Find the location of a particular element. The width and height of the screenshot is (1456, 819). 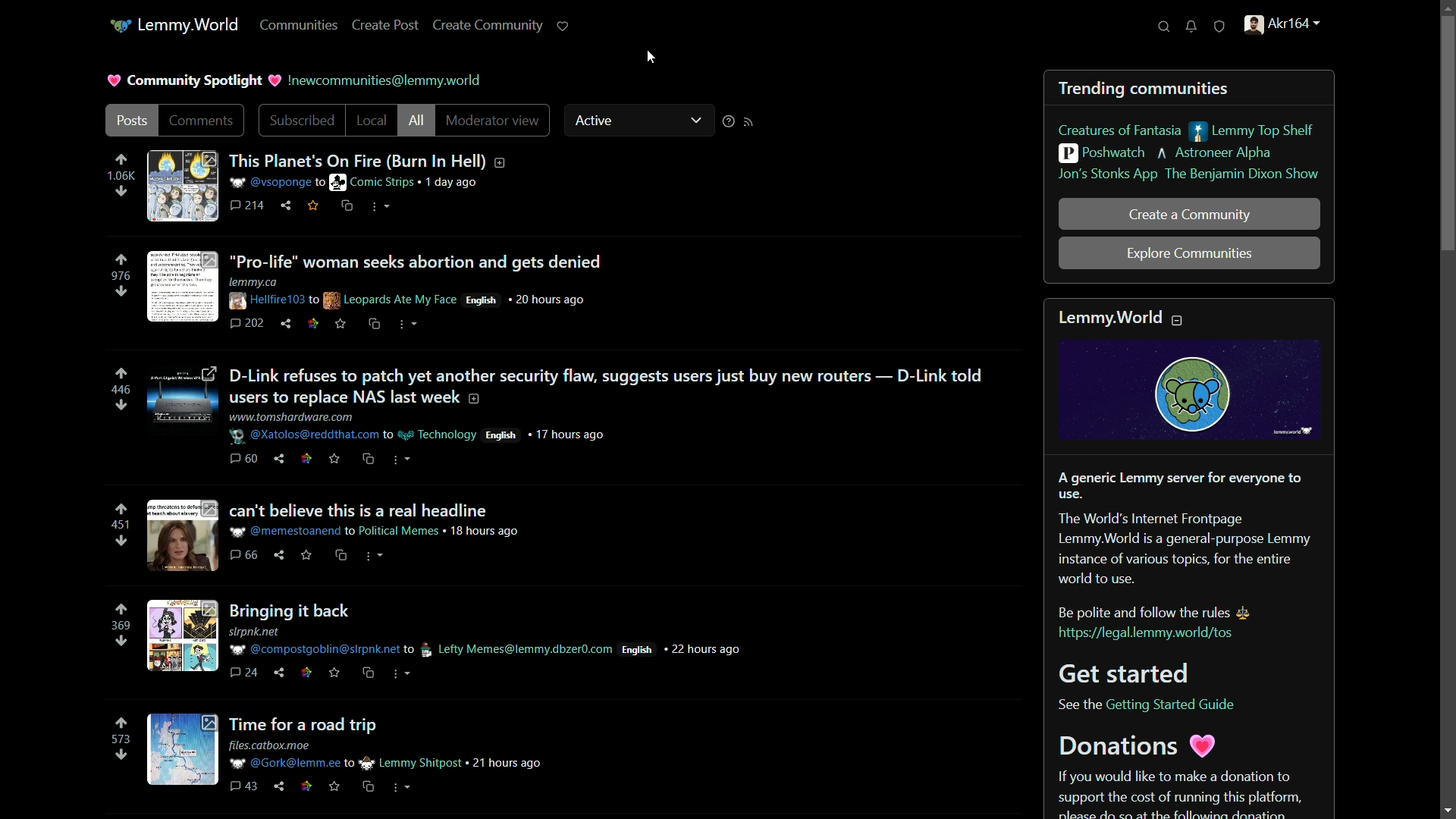

rss is located at coordinates (752, 121).